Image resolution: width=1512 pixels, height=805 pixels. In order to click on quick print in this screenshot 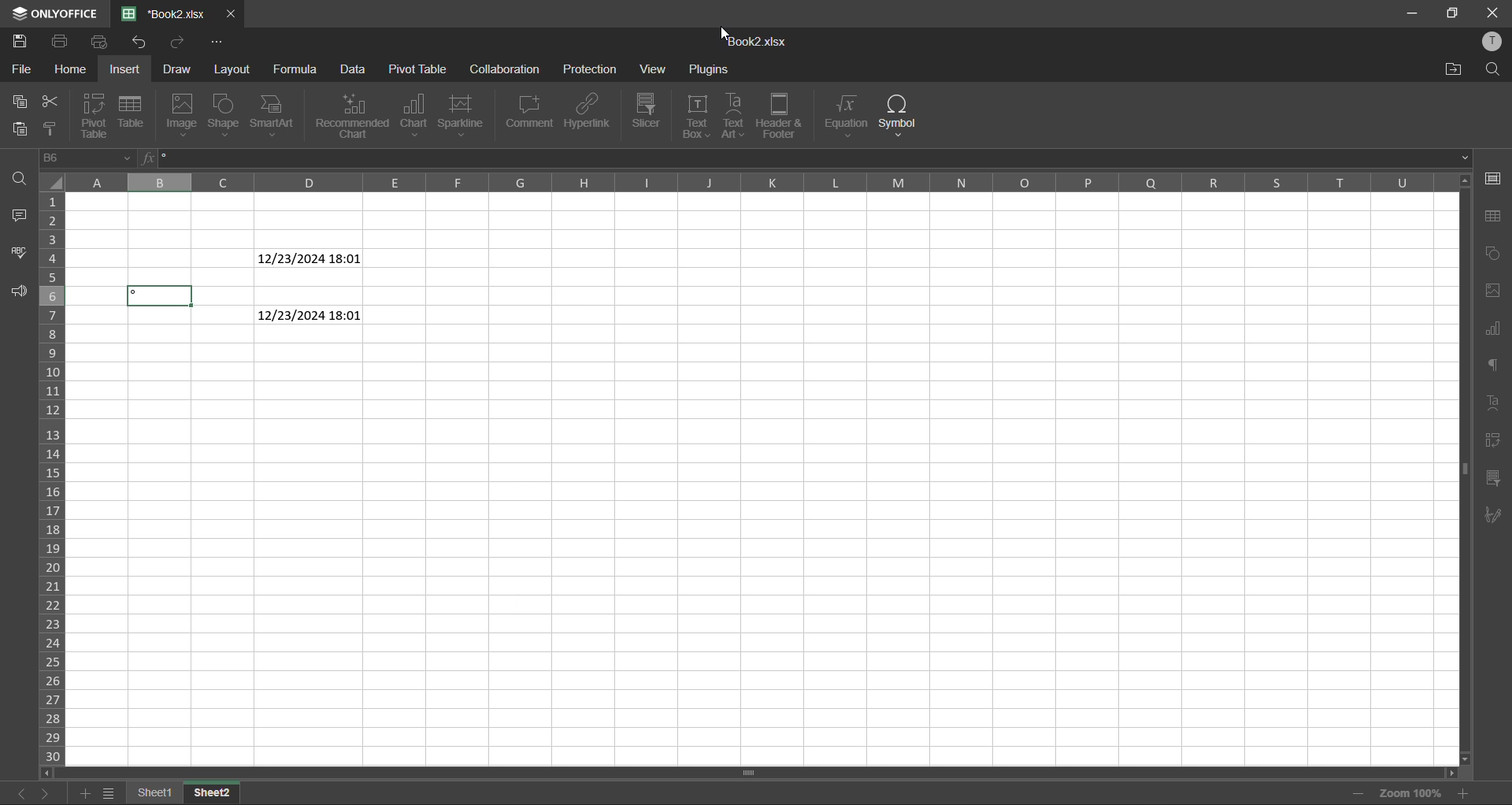, I will do `click(104, 42)`.